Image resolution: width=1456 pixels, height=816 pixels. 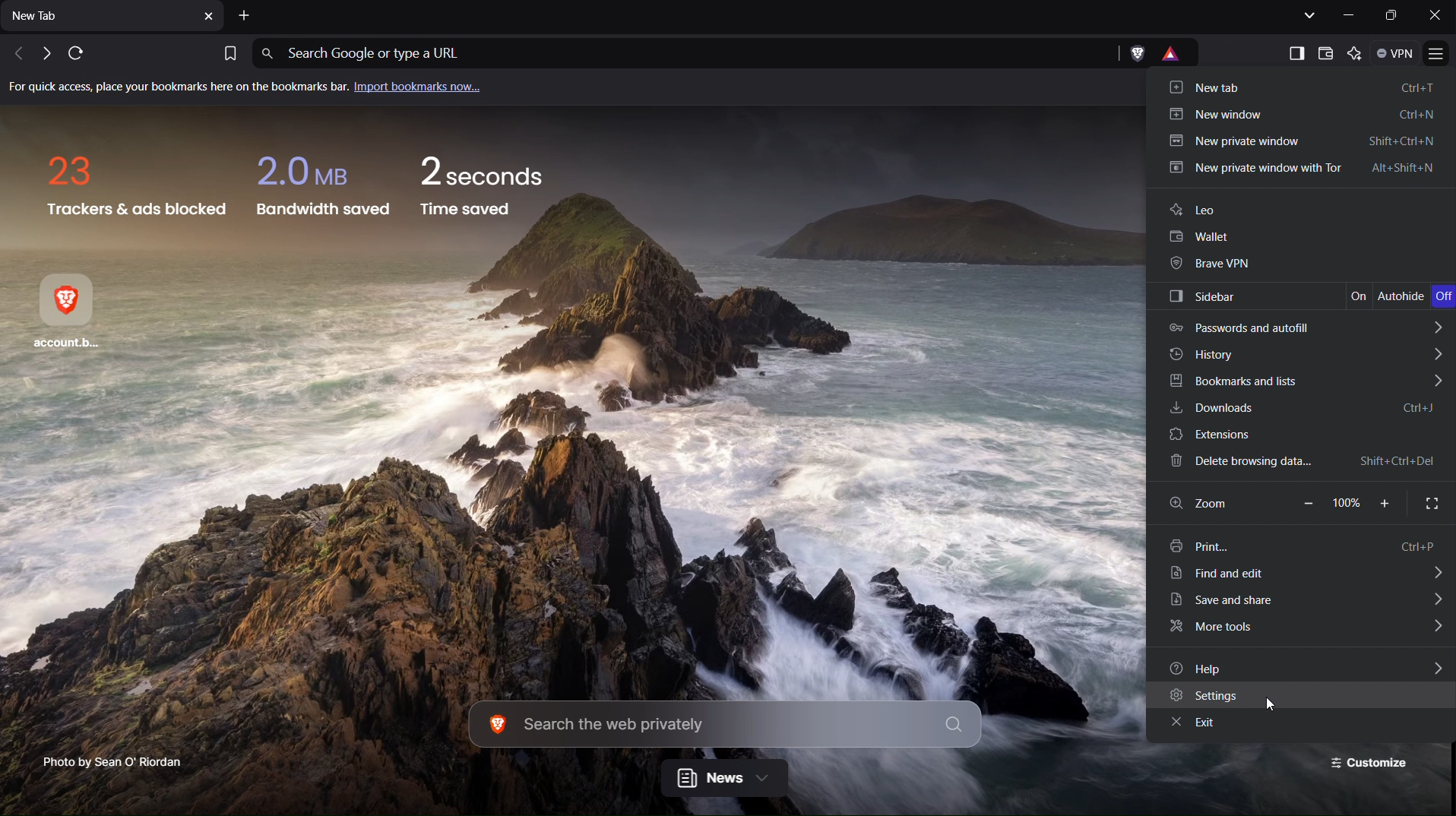 What do you see at coordinates (1303, 545) in the screenshot?
I see `Print ` at bounding box center [1303, 545].